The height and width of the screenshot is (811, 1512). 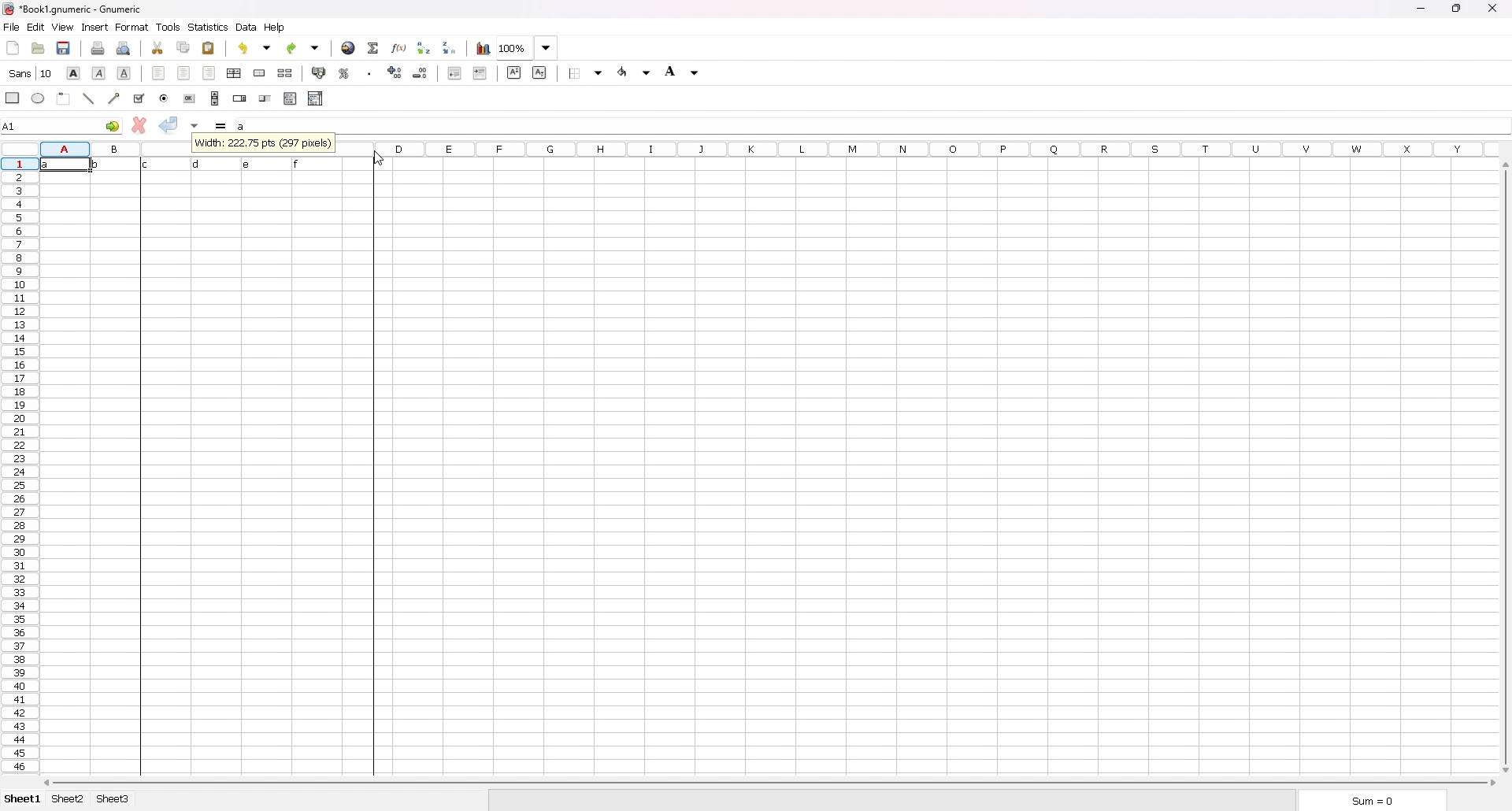 What do you see at coordinates (377, 158) in the screenshot?
I see `cursor` at bounding box center [377, 158].